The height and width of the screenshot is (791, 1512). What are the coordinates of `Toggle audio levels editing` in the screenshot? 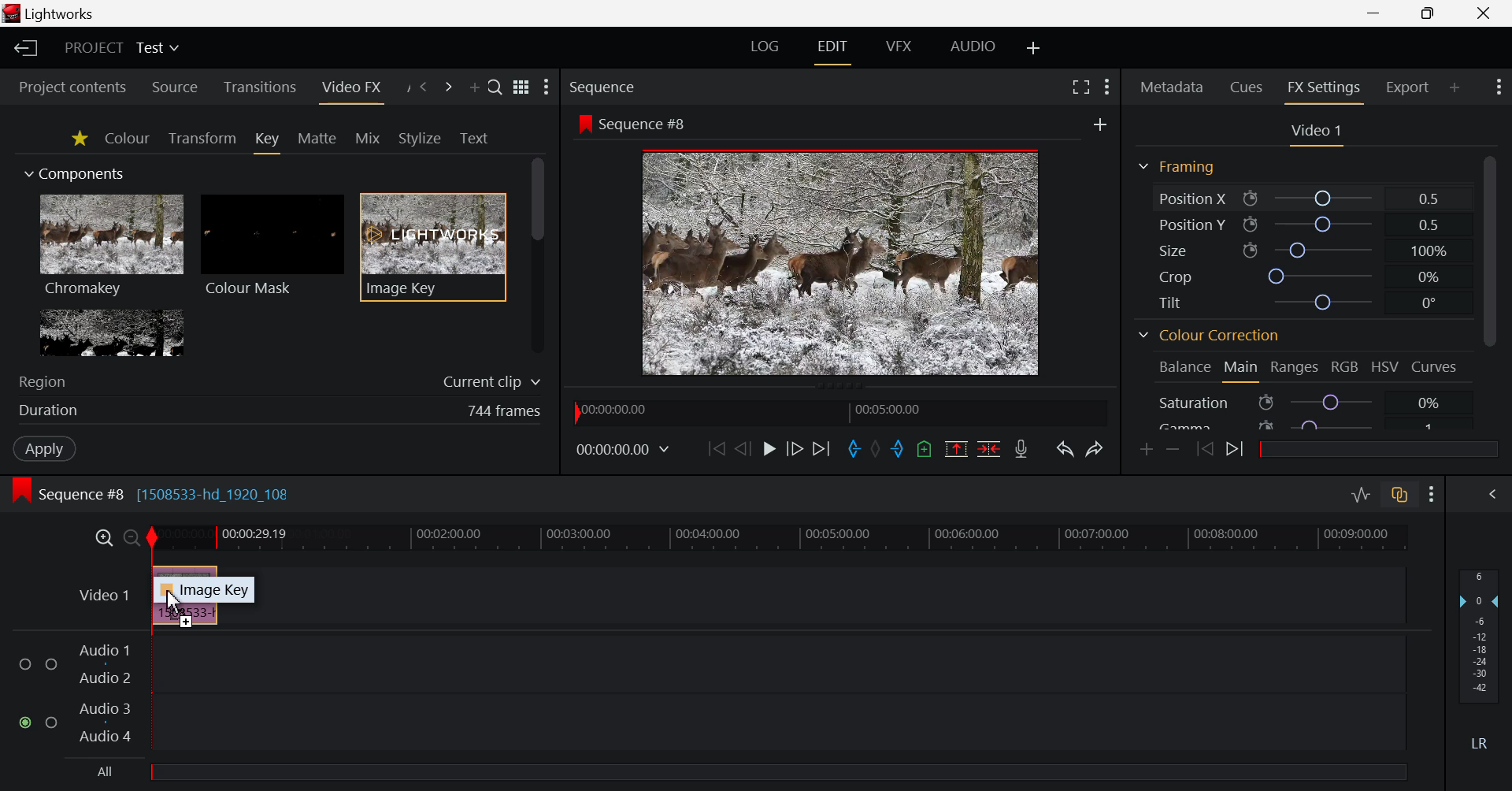 It's located at (1360, 496).